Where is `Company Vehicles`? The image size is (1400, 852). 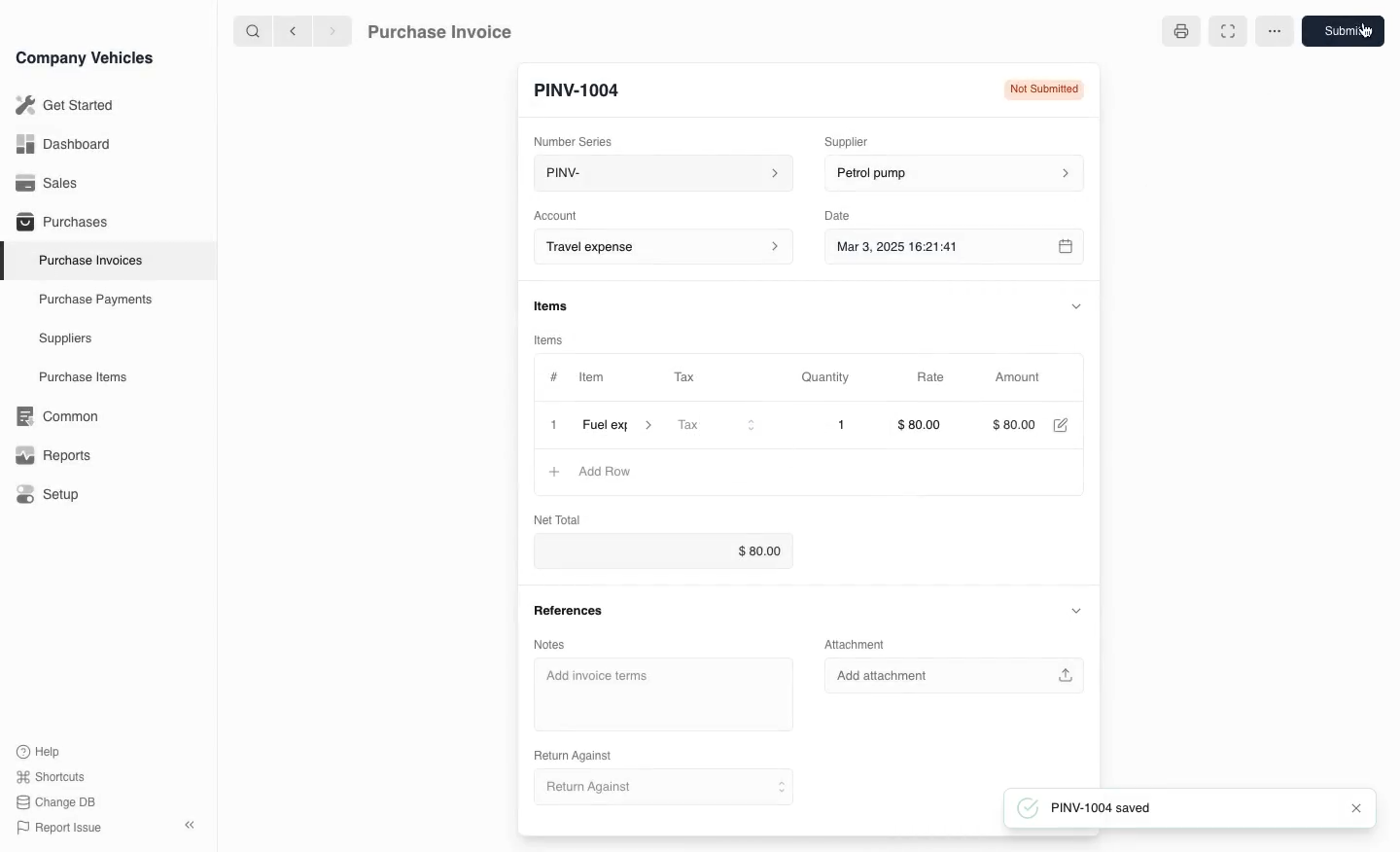
Company Vehicles is located at coordinates (85, 57).